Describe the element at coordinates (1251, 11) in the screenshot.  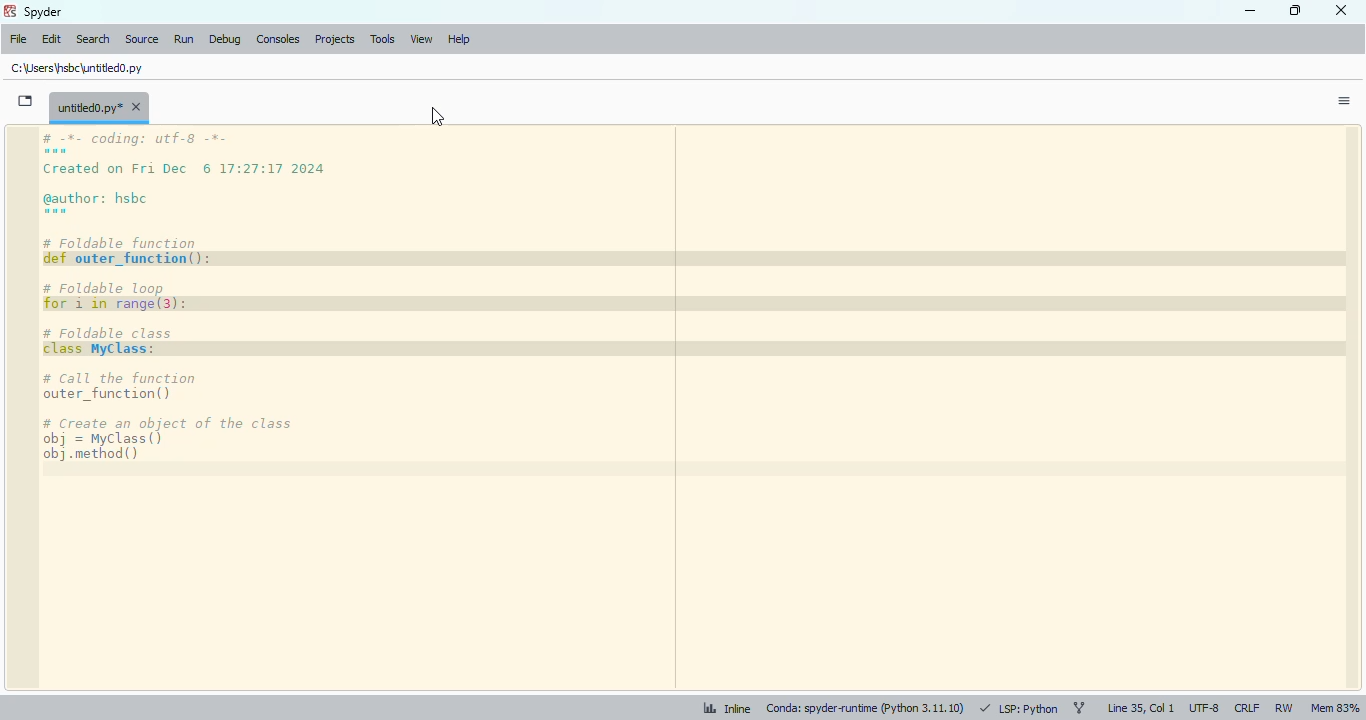
I see `minimize` at that location.